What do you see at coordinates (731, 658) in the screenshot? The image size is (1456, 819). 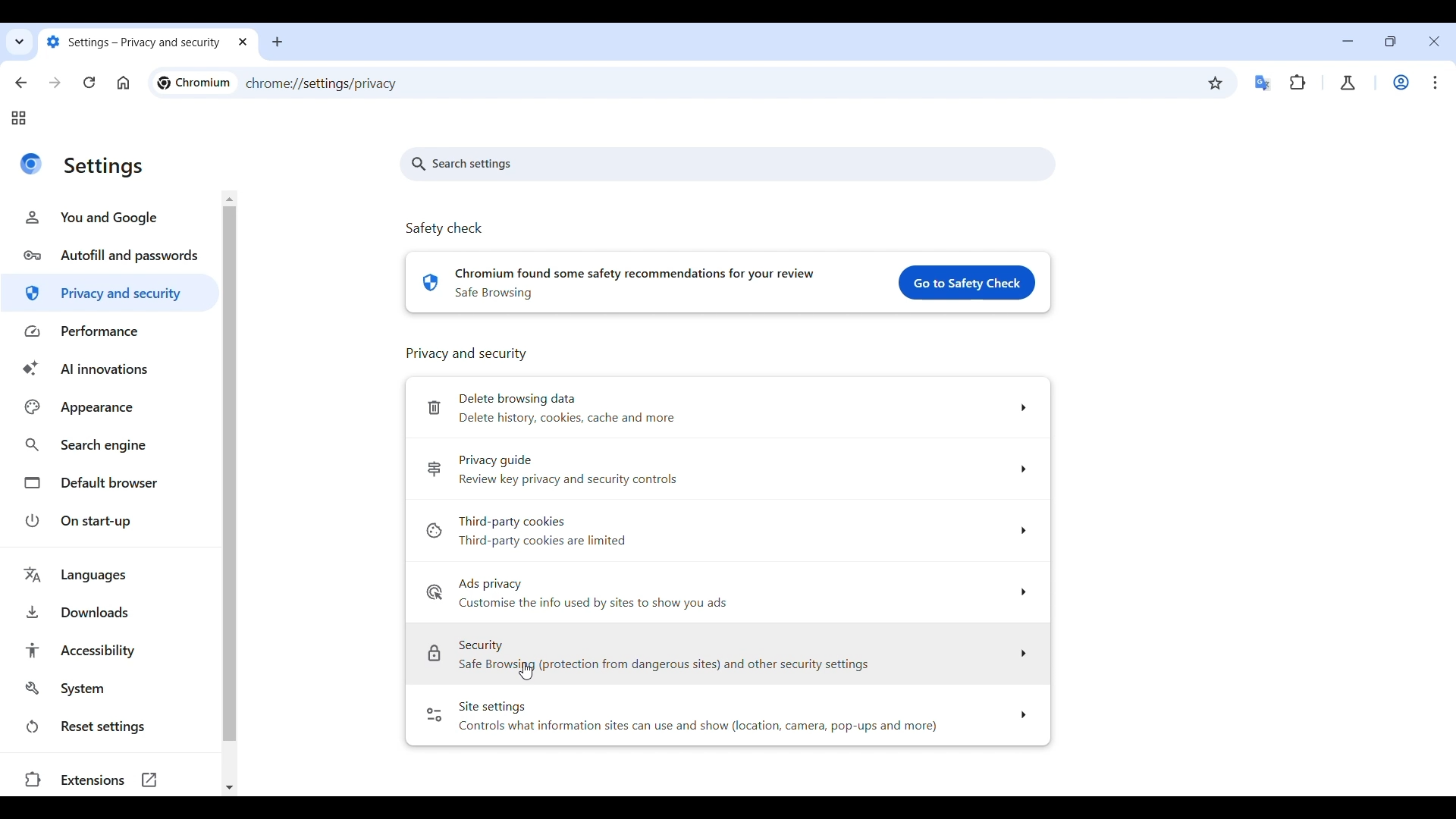 I see `Security Safe Browsing (protection from dangerous sites) and other security settings` at bounding box center [731, 658].